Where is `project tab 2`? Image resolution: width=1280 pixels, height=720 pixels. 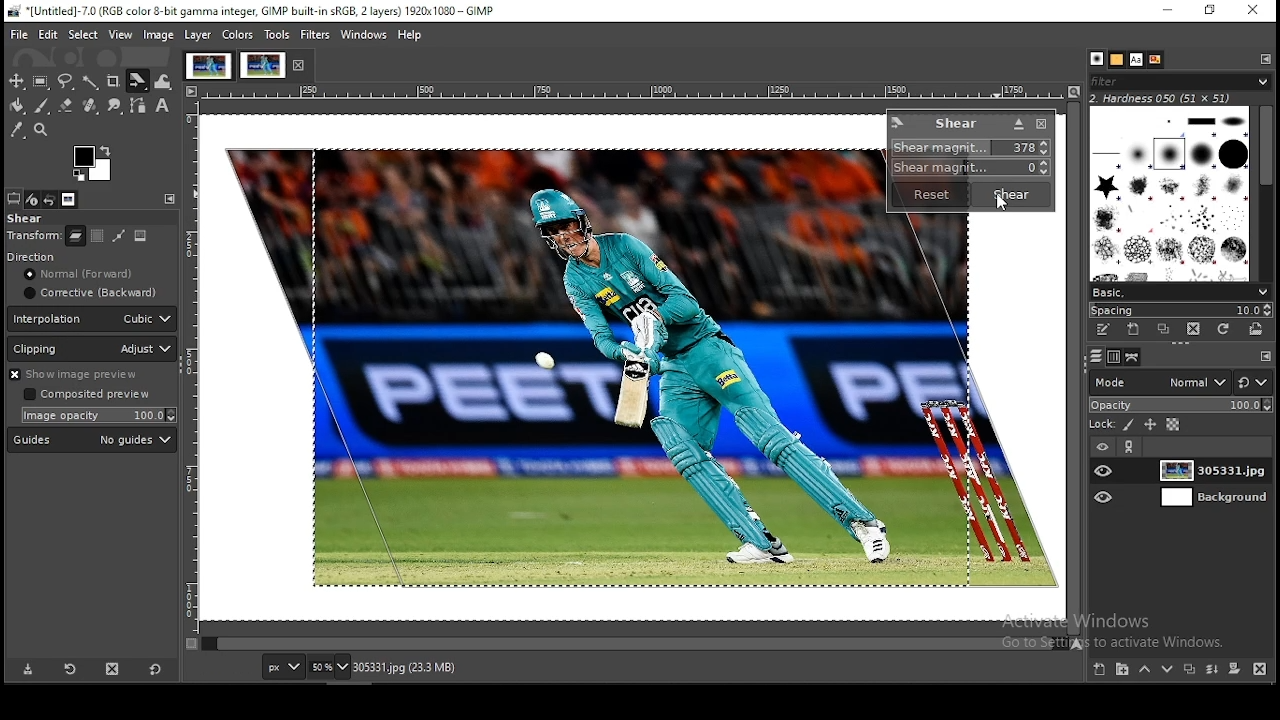
project tab 2 is located at coordinates (263, 65).